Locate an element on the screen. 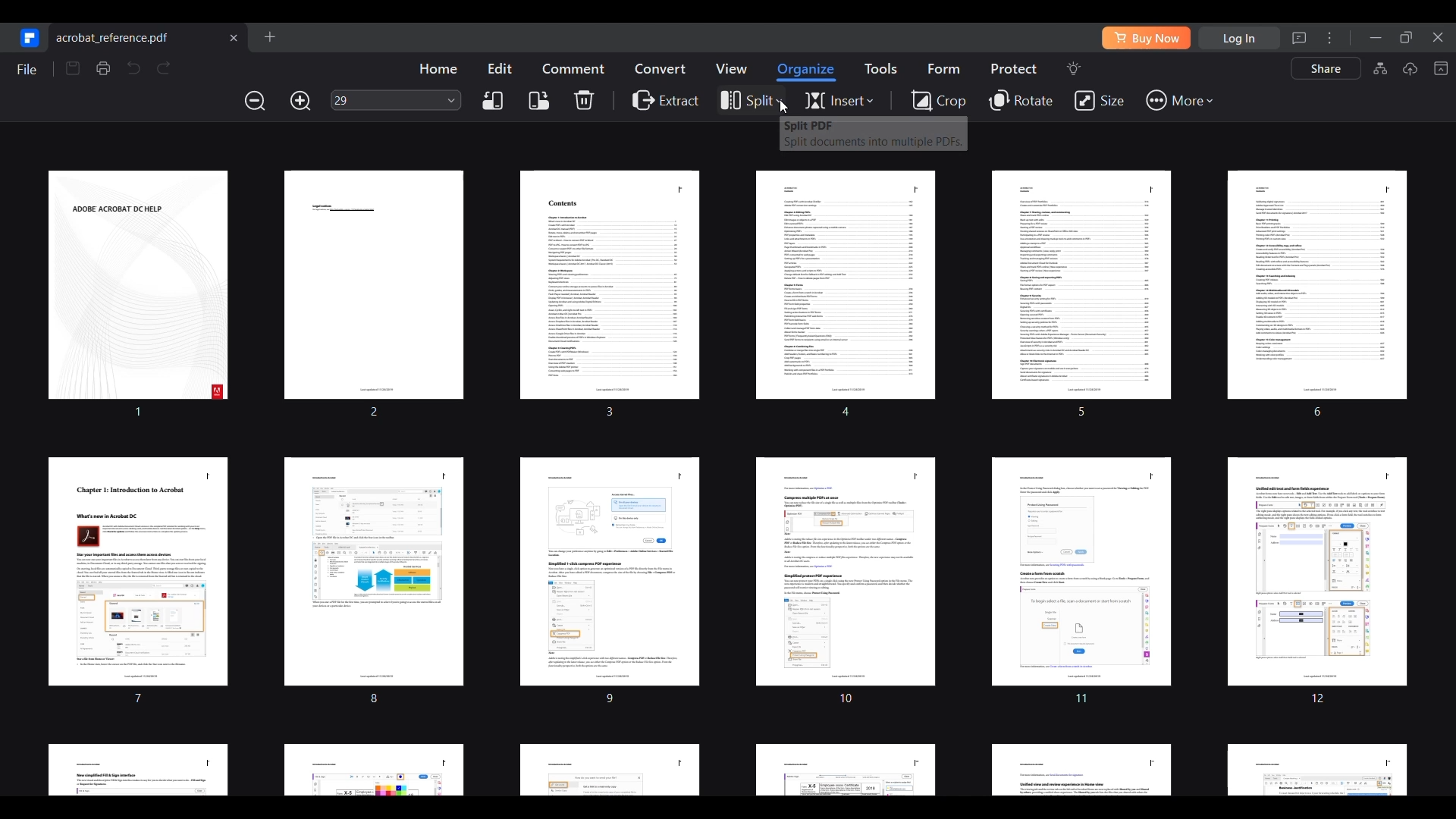 This screenshot has height=819, width=1456. Close is located at coordinates (1439, 37).